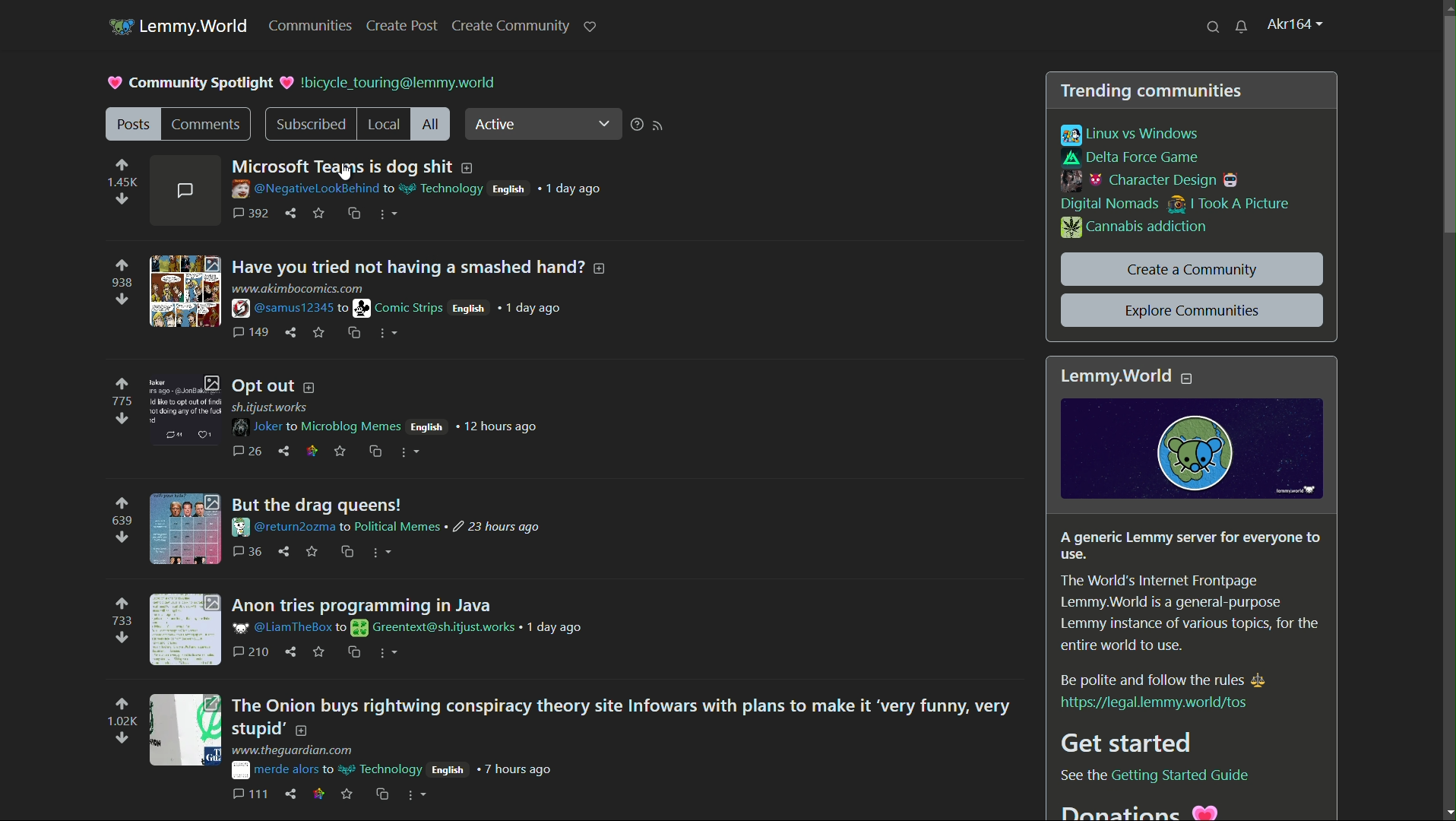 The height and width of the screenshot is (821, 1456). Describe the element at coordinates (1125, 376) in the screenshot. I see `title` at that location.